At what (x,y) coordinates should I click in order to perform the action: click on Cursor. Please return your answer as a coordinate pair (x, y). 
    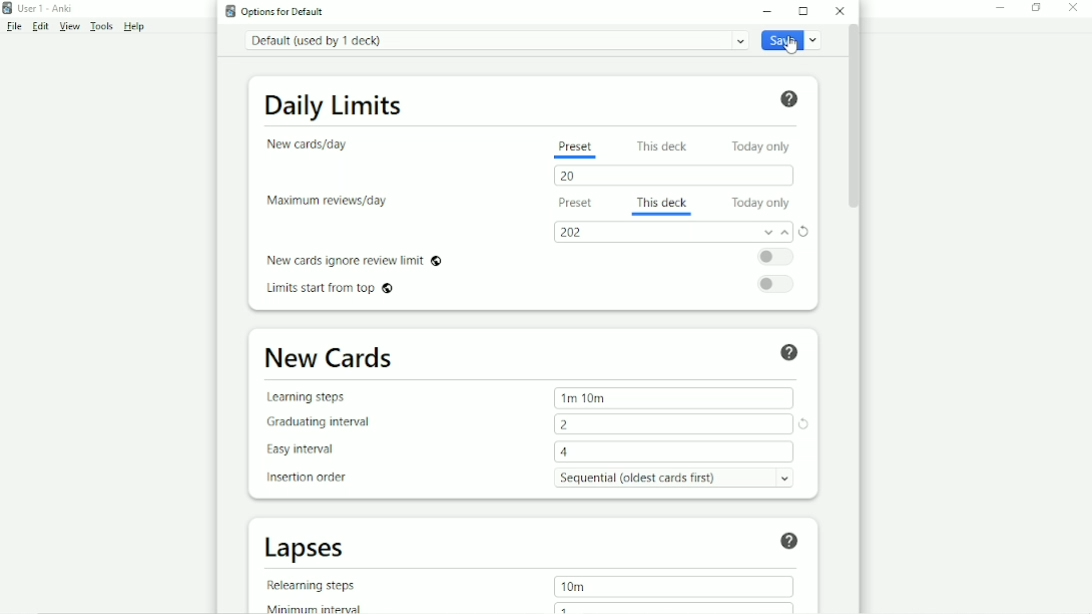
    Looking at the image, I should click on (792, 46).